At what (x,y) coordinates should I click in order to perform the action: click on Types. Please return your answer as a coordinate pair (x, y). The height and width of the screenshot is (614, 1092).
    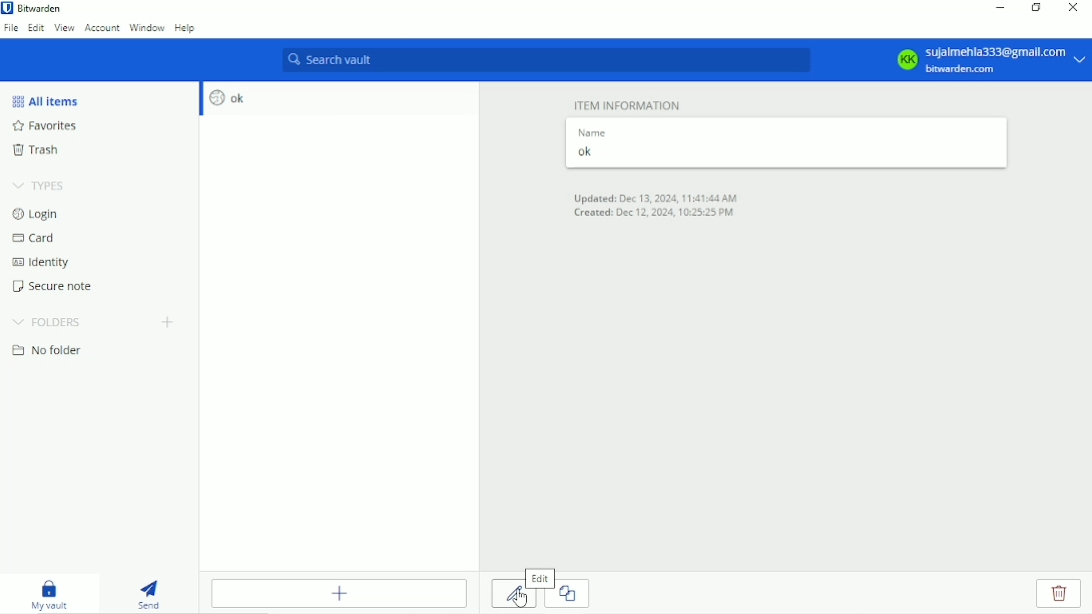
    Looking at the image, I should click on (37, 186).